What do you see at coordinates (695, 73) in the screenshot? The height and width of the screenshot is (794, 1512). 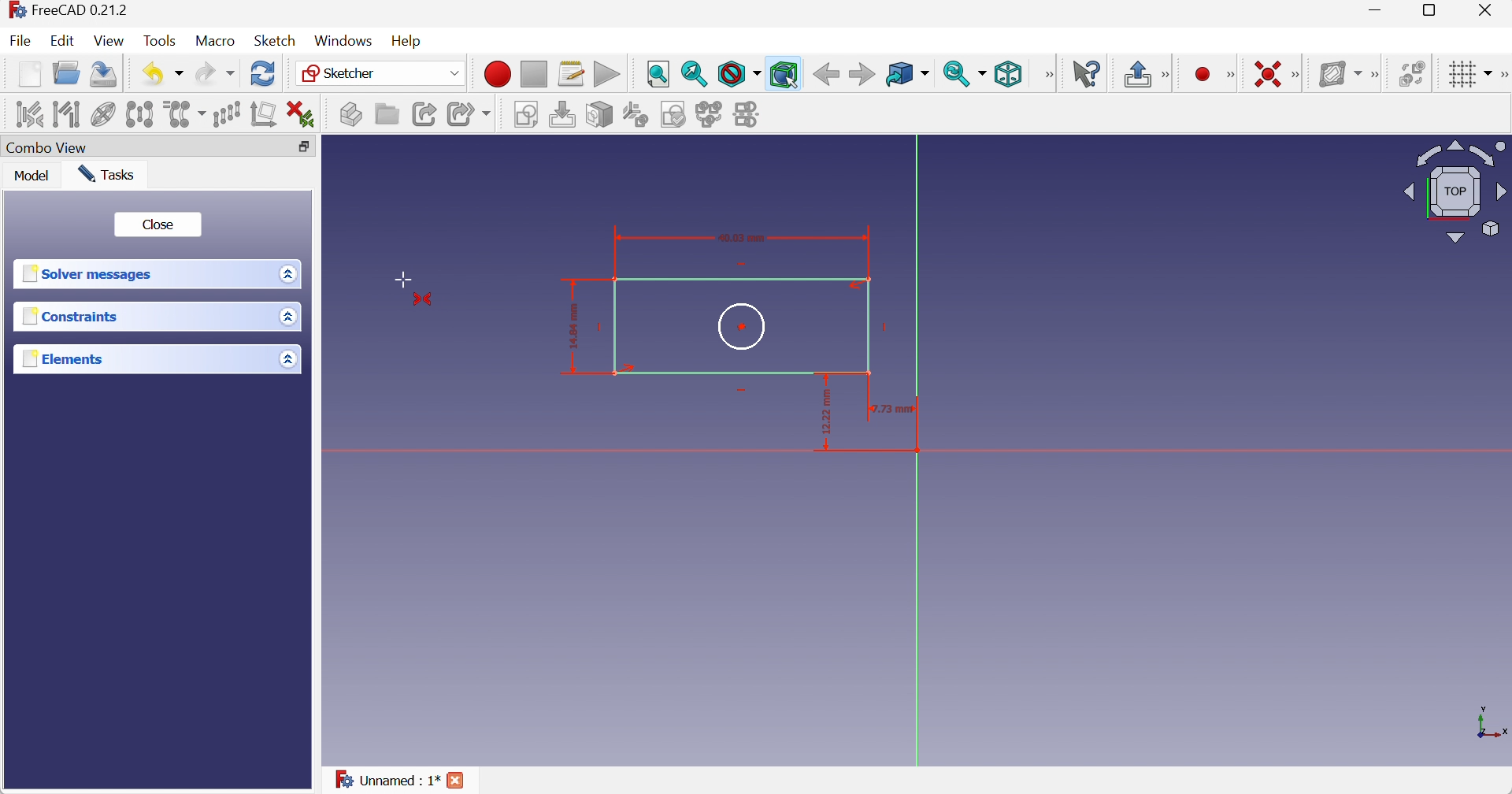 I see `Fit selection ` at bounding box center [695, 73].